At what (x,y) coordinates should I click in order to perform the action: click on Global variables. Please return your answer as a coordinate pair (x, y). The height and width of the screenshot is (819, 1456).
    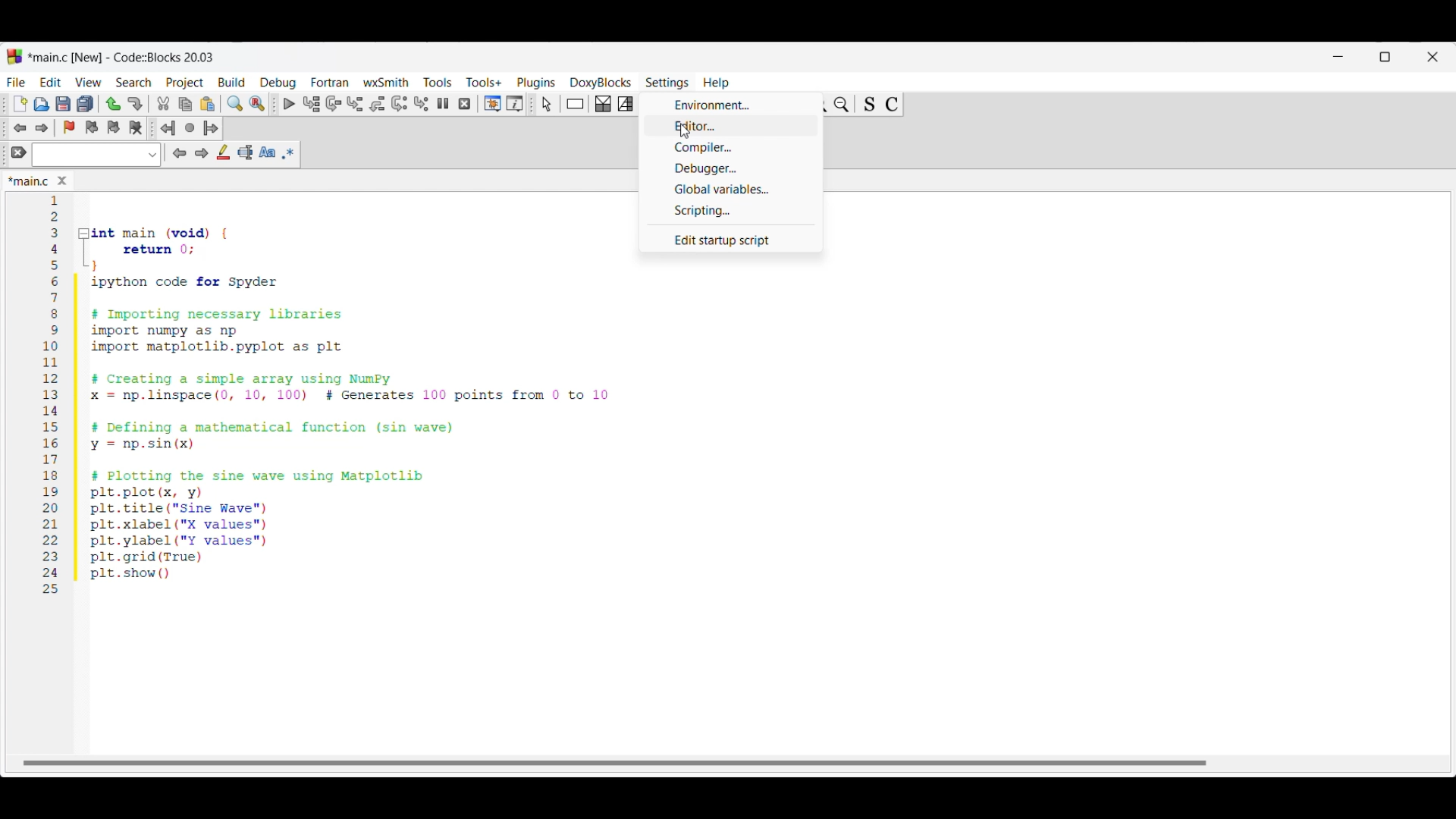
    Looking at the image, I should click on (730, 189).